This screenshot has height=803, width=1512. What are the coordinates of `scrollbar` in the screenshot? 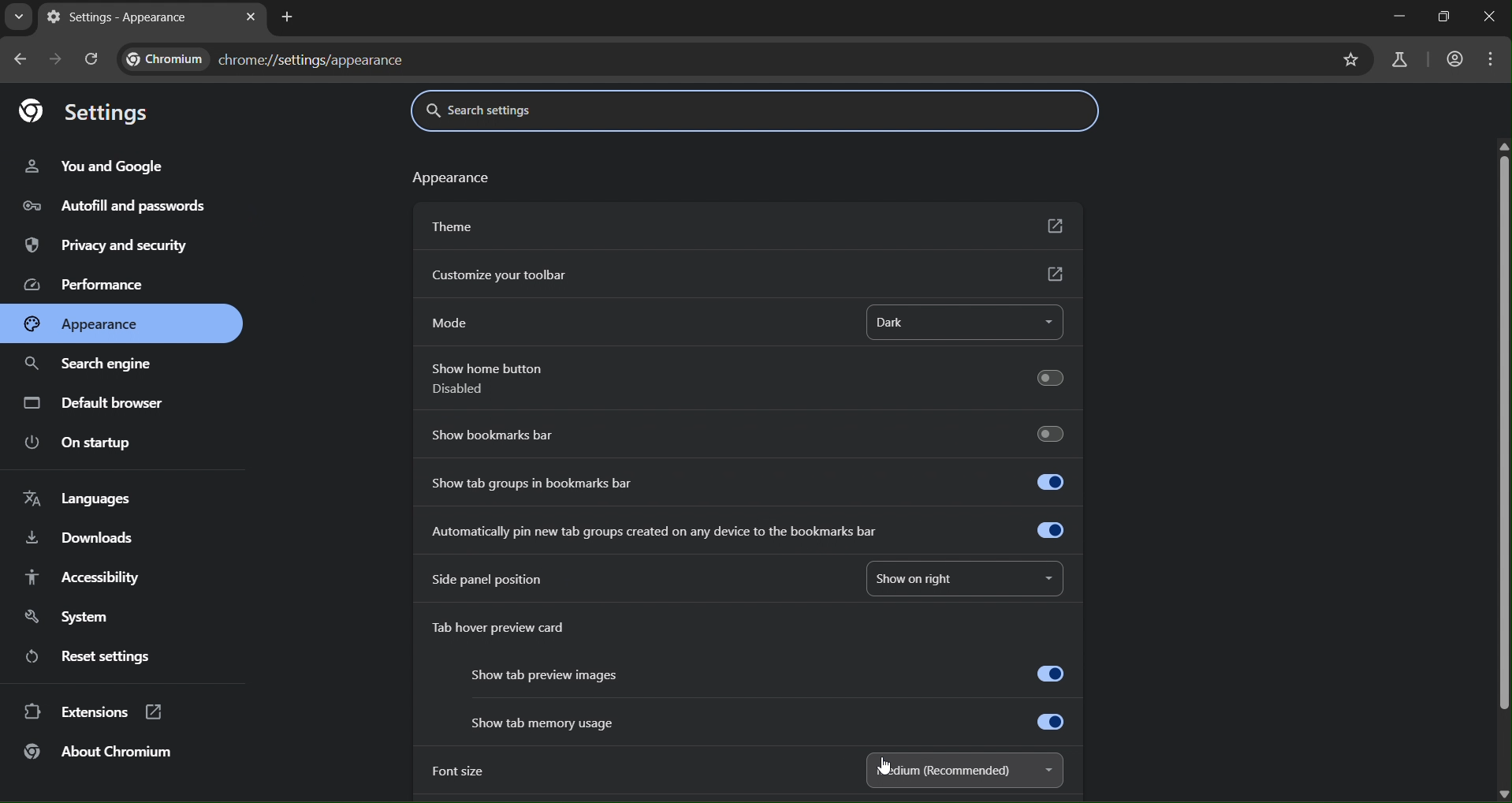 It's located at (1498, 425).